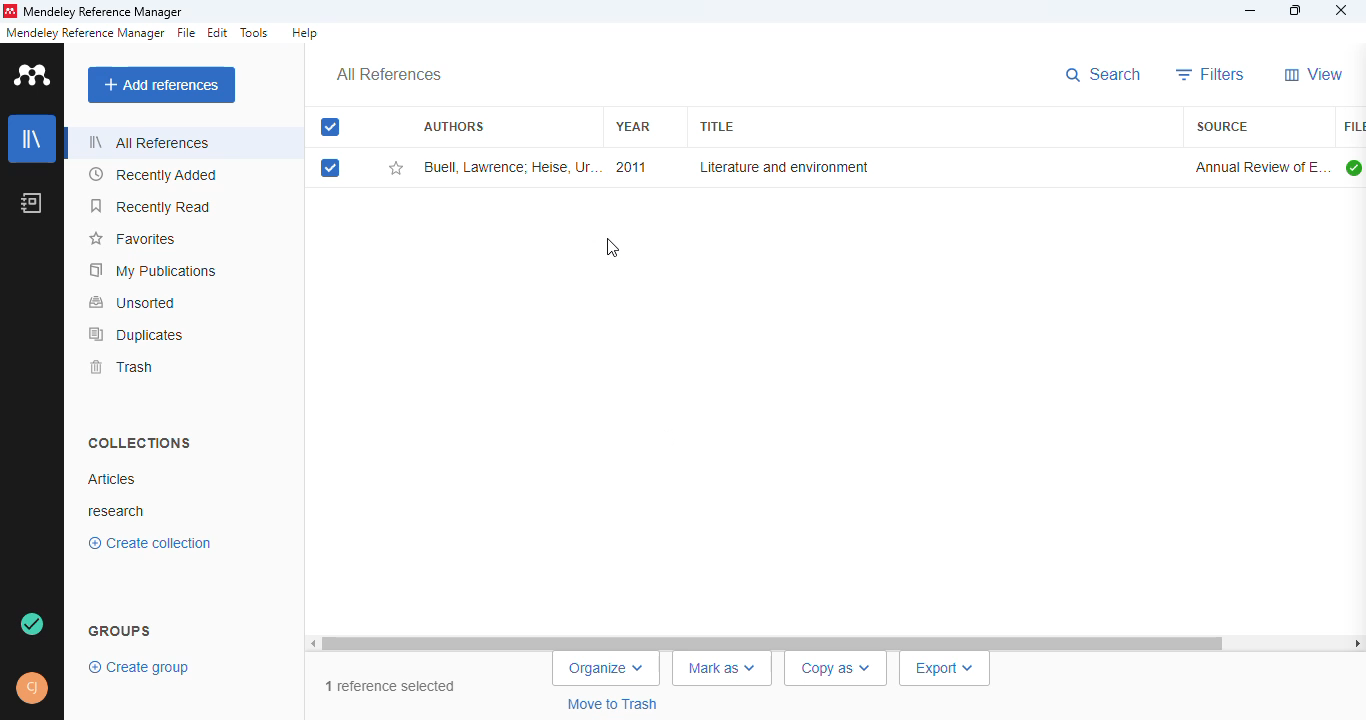 This screenshot has width=1366, height=720. What do you see at coordinates (85, 33) in the screenshot?
I see `mendeley reference manager` at bounding box center [85, 33].